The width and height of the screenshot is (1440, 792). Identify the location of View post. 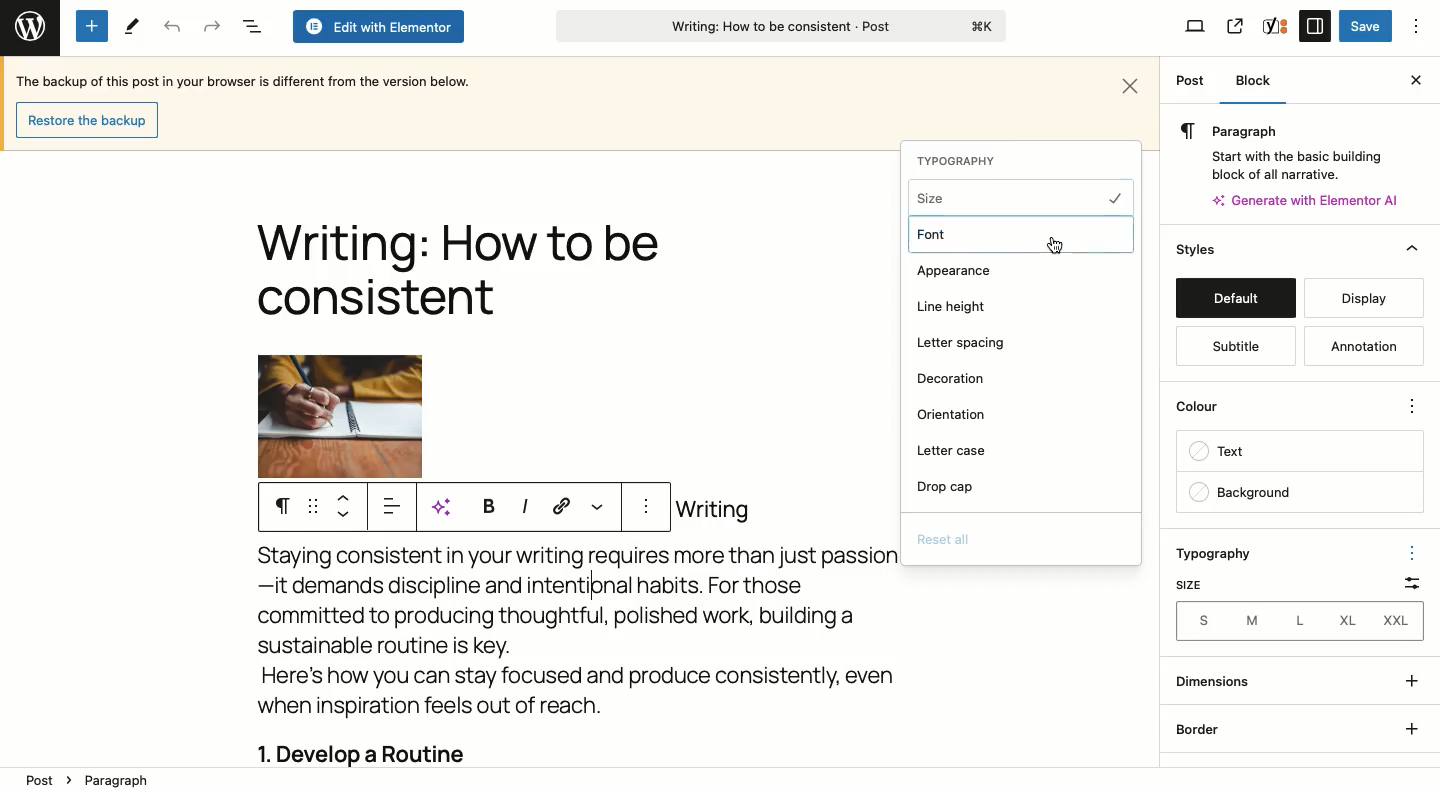
(1234, 26).